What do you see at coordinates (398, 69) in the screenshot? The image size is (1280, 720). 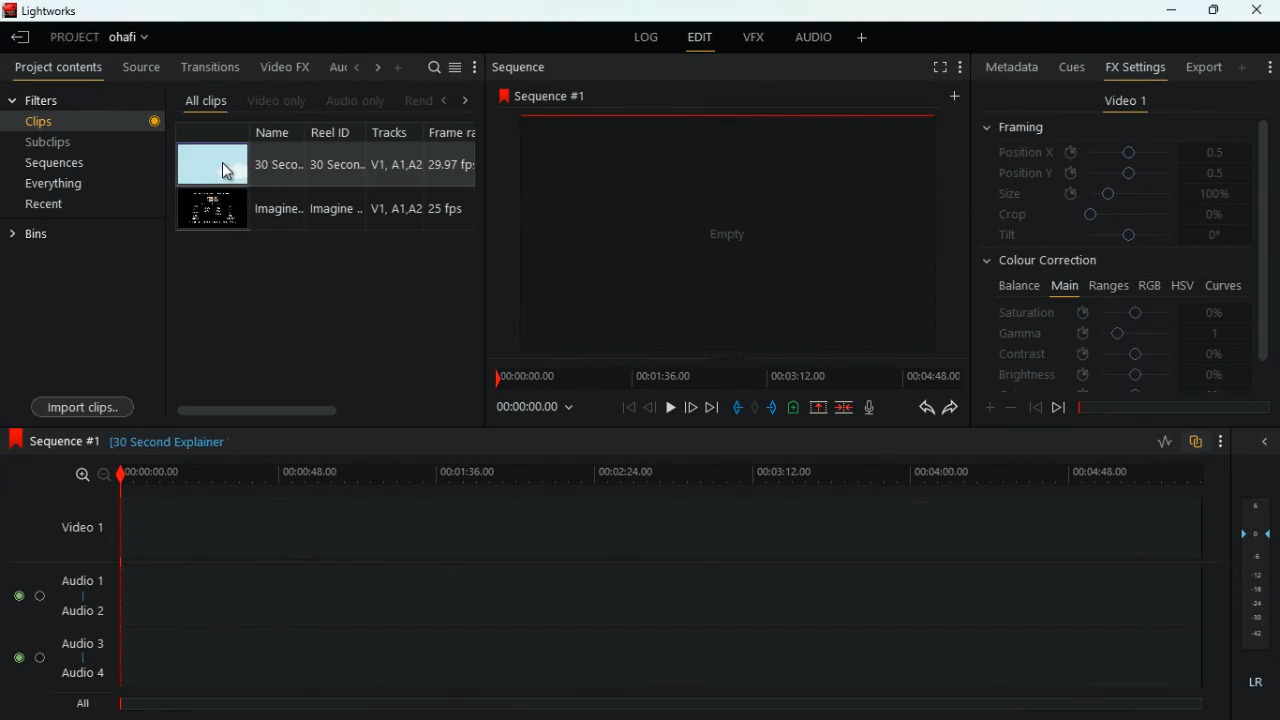 I see `add` at bounding box center [398, 69].